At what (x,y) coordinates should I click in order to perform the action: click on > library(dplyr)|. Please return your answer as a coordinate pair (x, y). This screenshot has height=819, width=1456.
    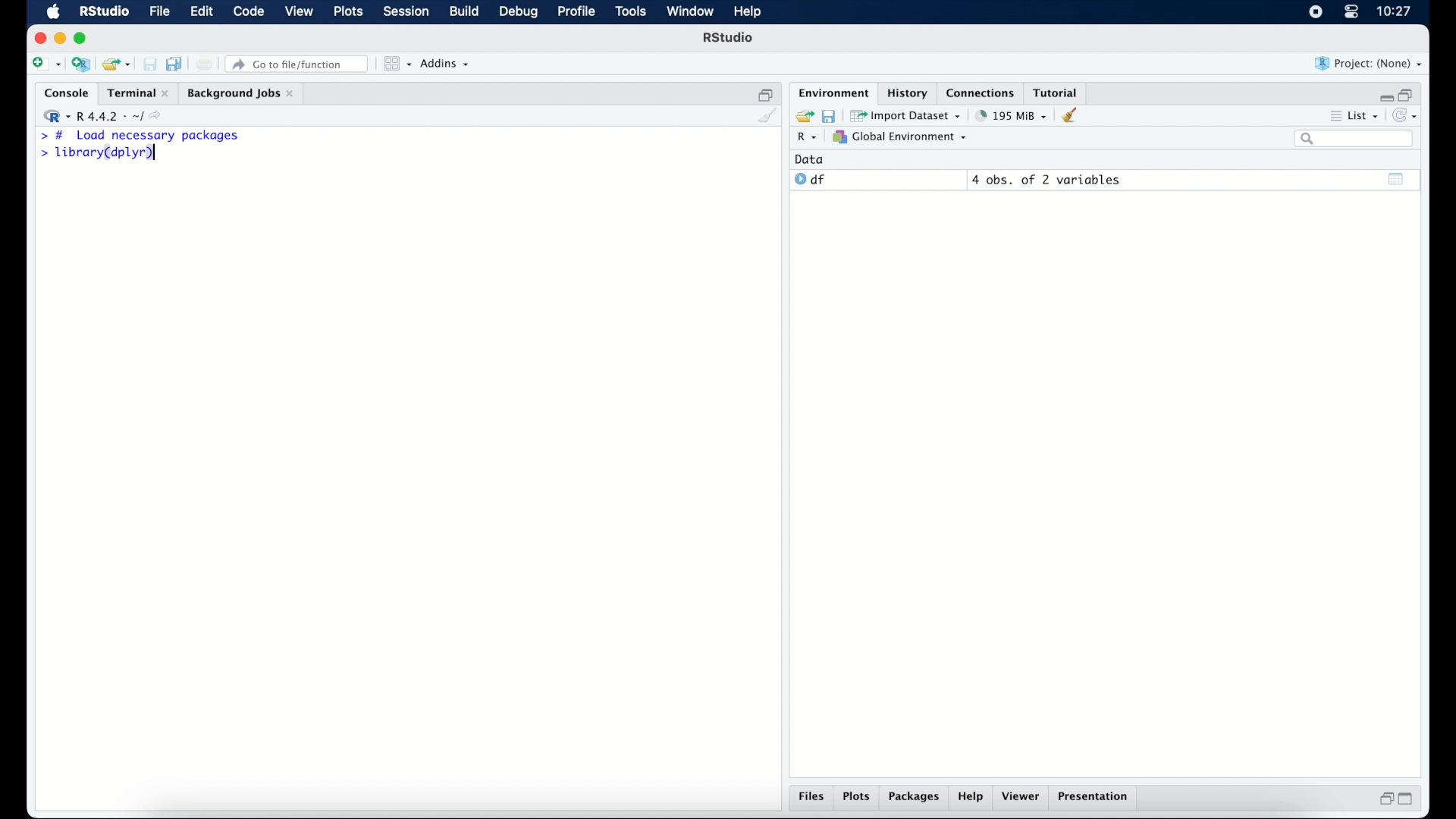
    Looking at the image, I should click on (101, 153).